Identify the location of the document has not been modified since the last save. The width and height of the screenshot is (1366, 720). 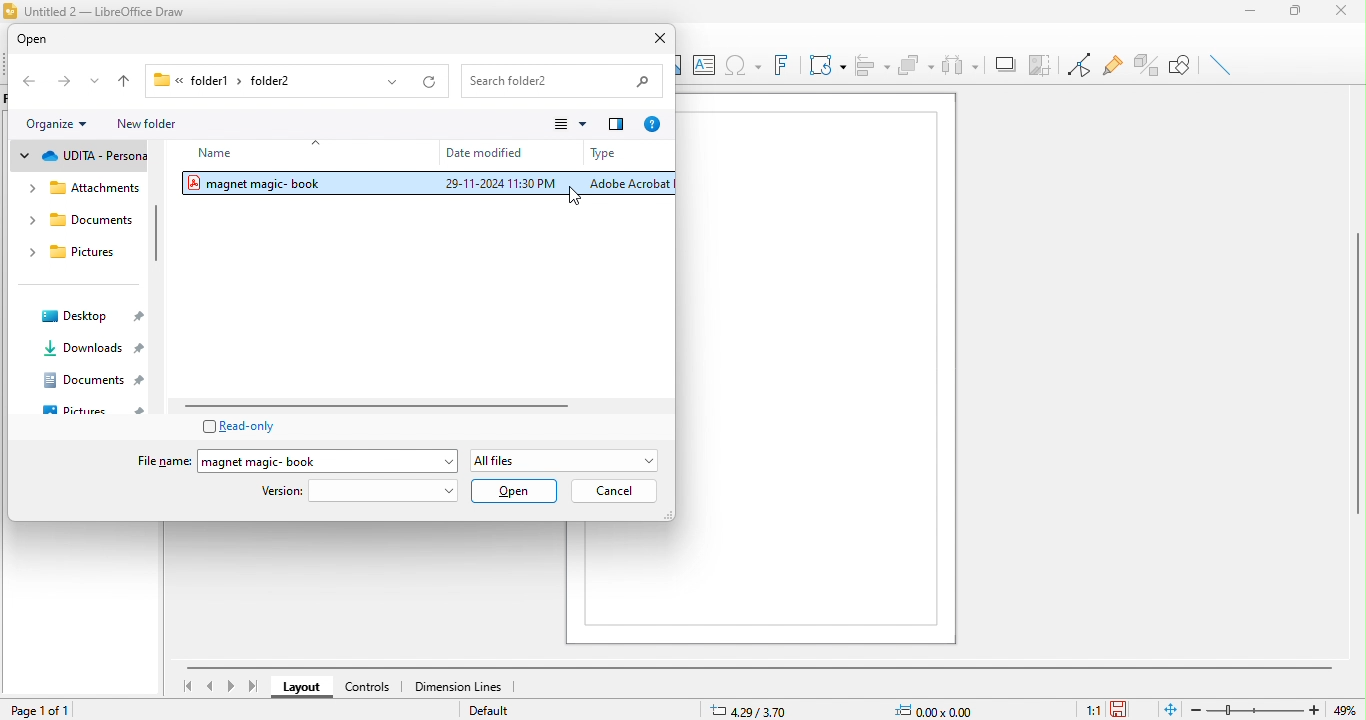
(1127, 709).